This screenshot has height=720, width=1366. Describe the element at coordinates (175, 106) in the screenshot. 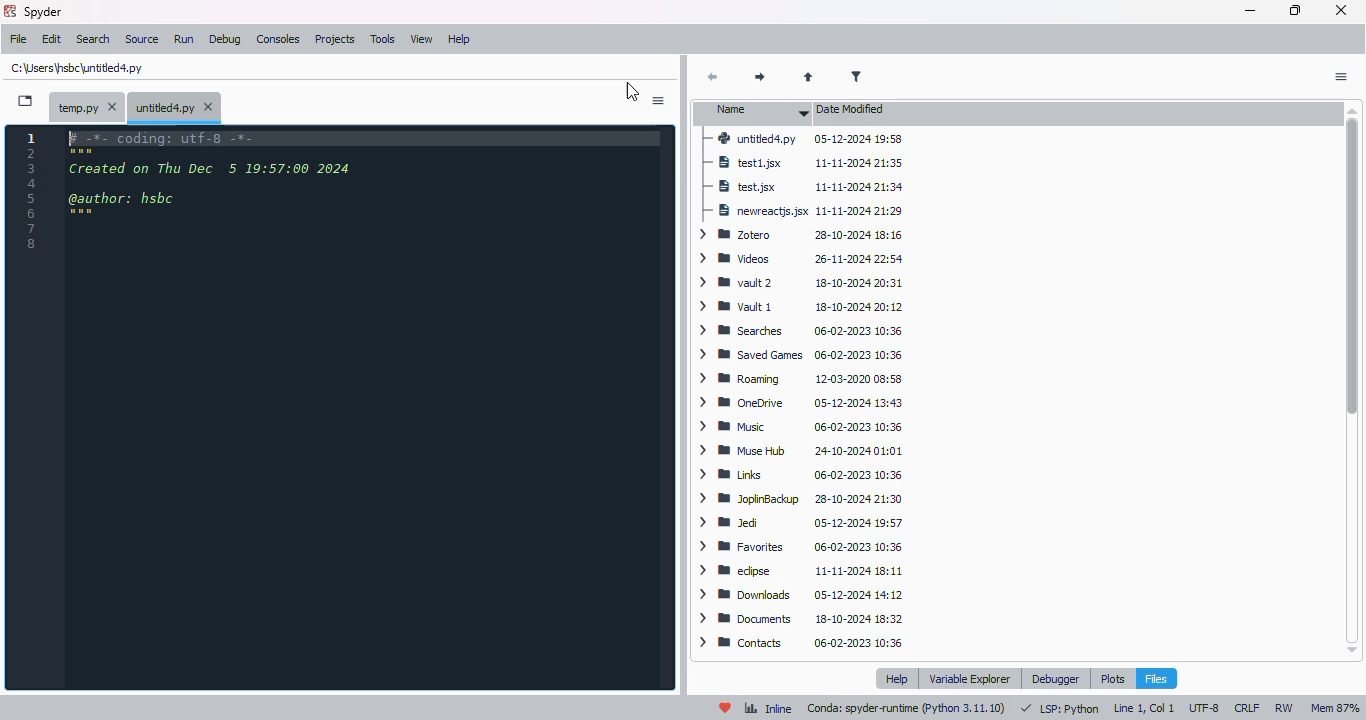

I see `untitled4.py` at that location.